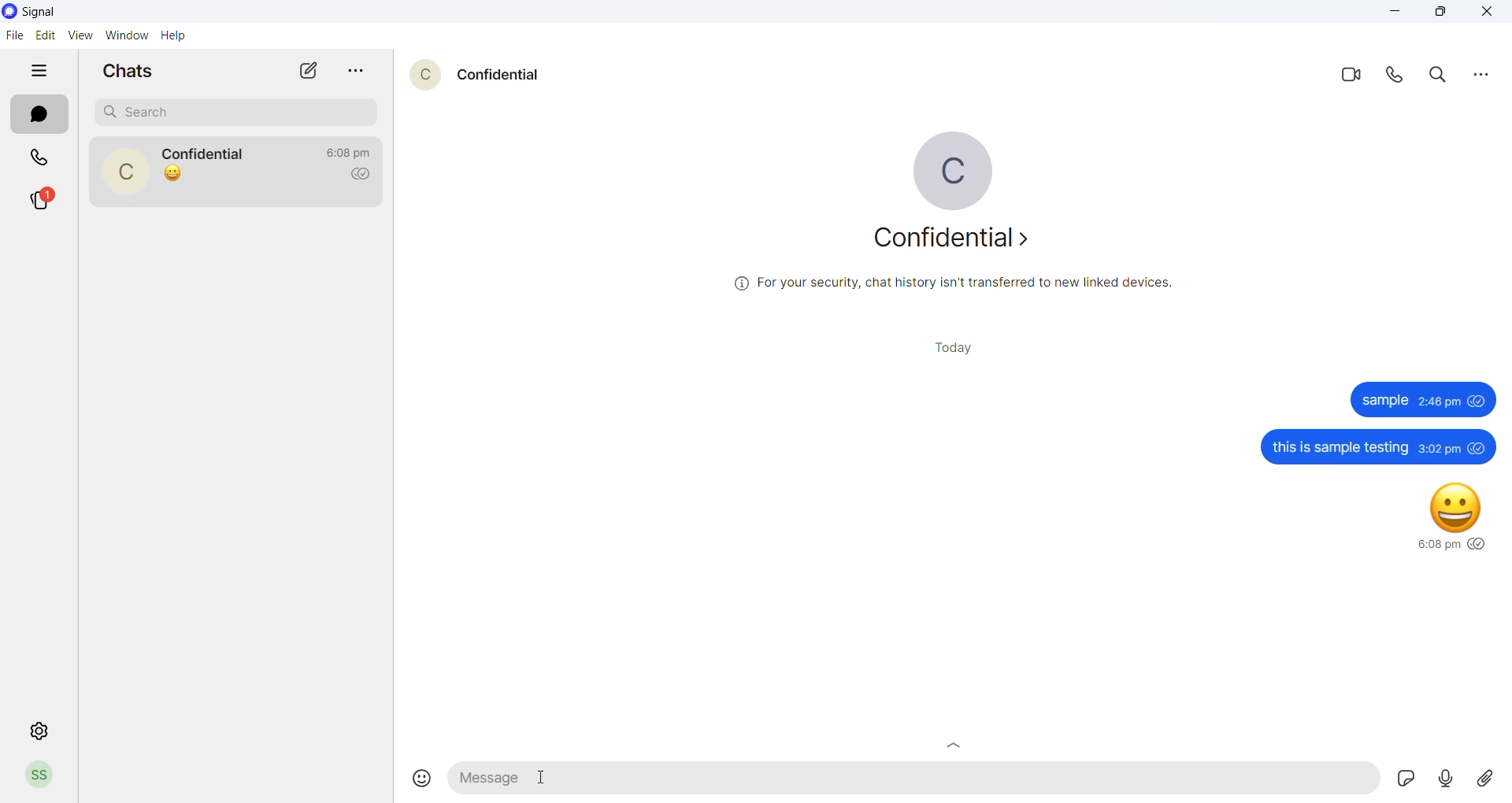 Image resolution: width=1512 pixels, height=803 pixels. Describe the element at coordinates (417, 775) in the screenshot. I see `emojis` at that location.